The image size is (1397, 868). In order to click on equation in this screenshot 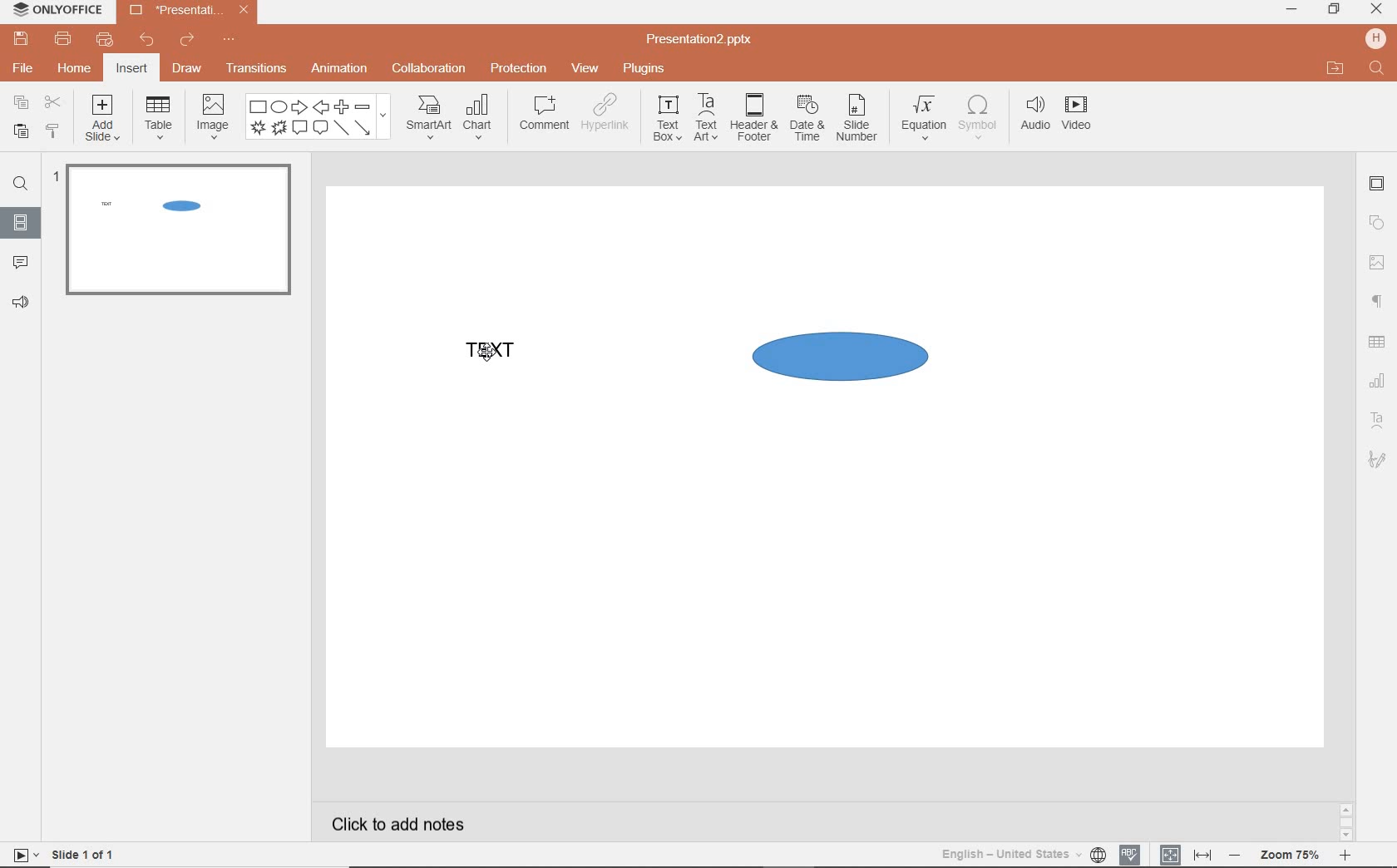, I will do `click(921, 121)`.